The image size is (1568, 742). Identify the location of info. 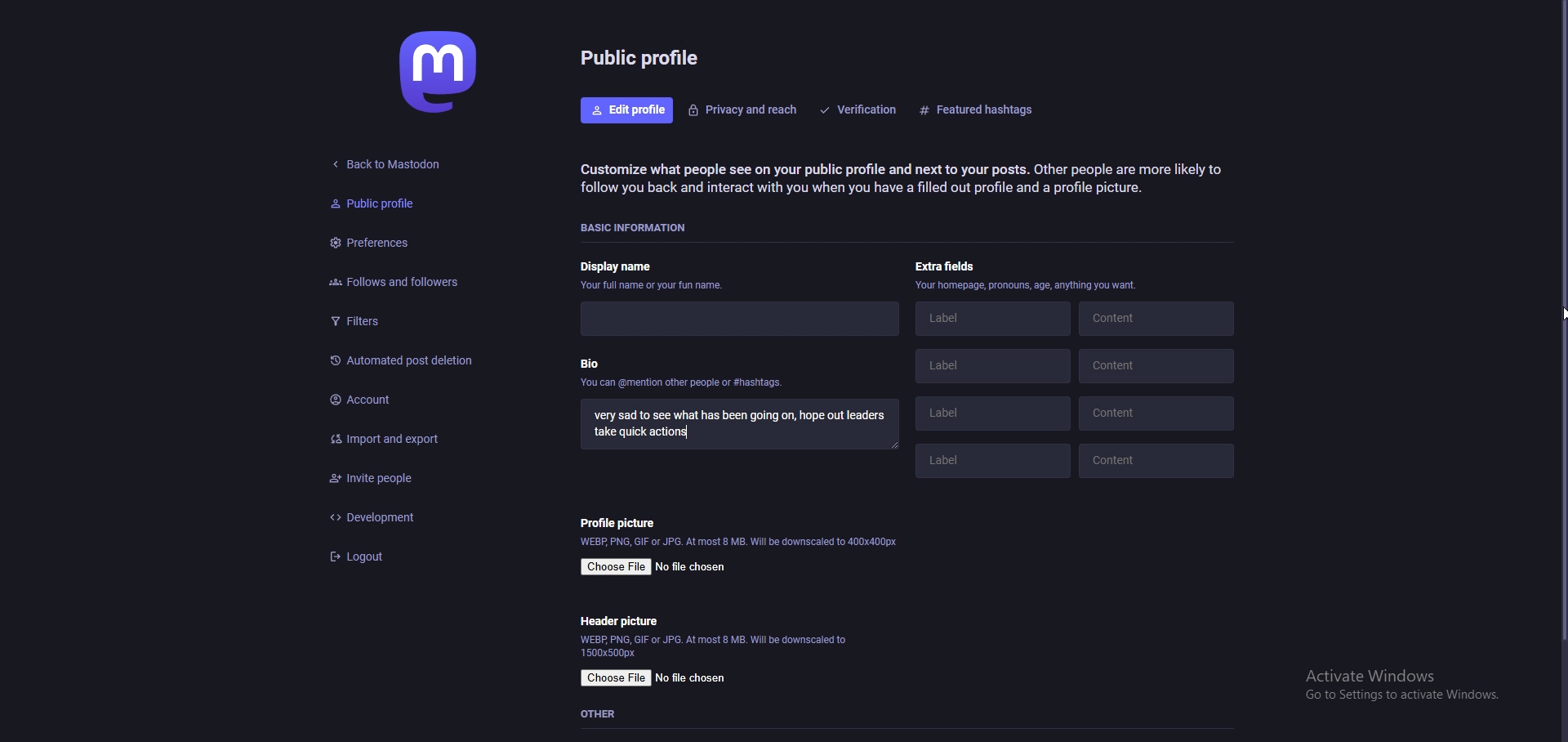
(739, 541).